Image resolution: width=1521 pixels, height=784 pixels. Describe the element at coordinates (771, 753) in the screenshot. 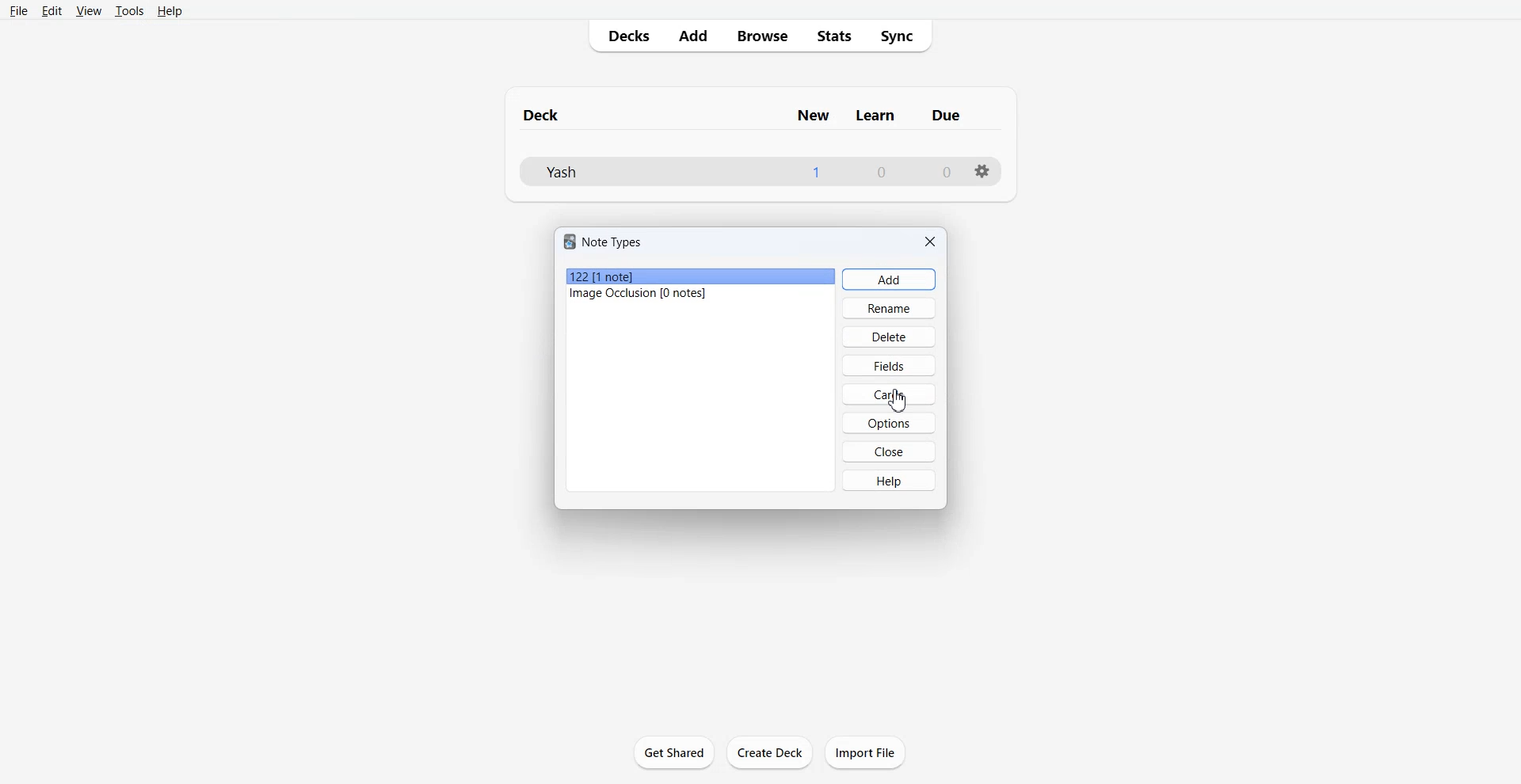

I see `Create Deck` at that location.